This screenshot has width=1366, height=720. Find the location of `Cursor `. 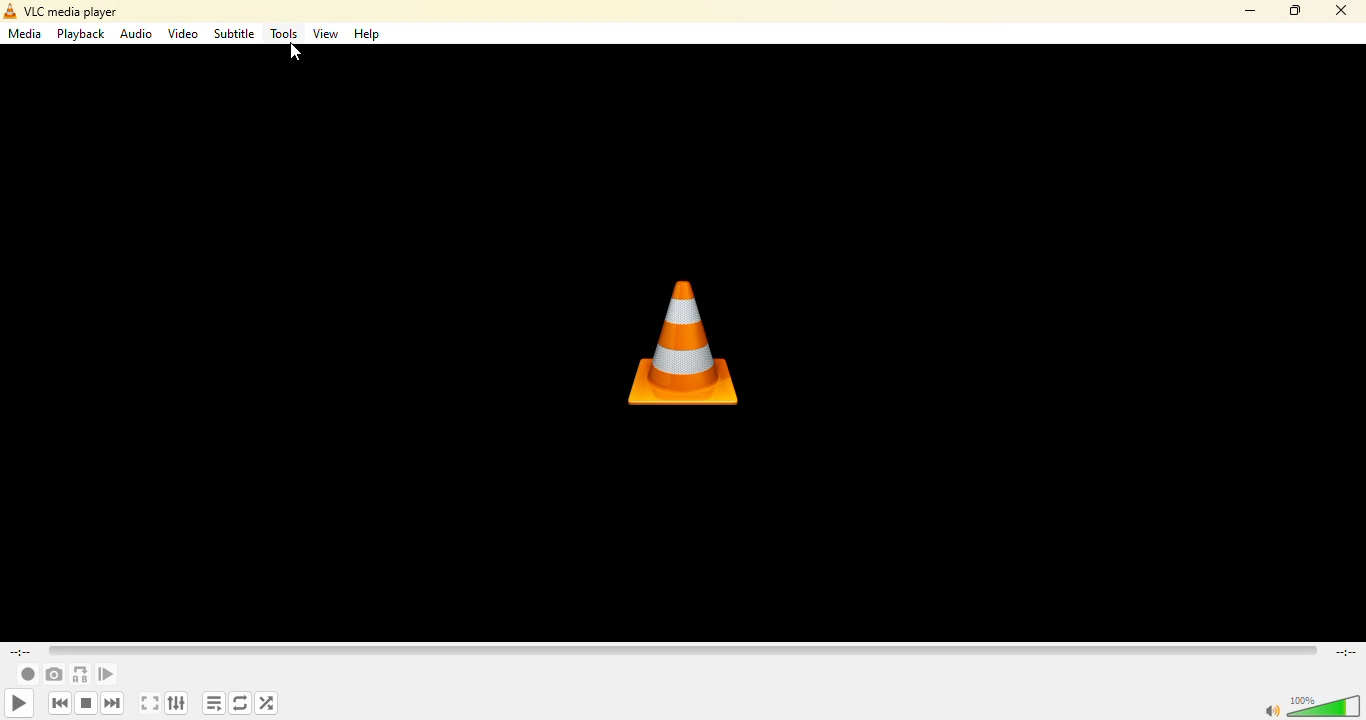

Cursor  is located at coordinates (291, 53).